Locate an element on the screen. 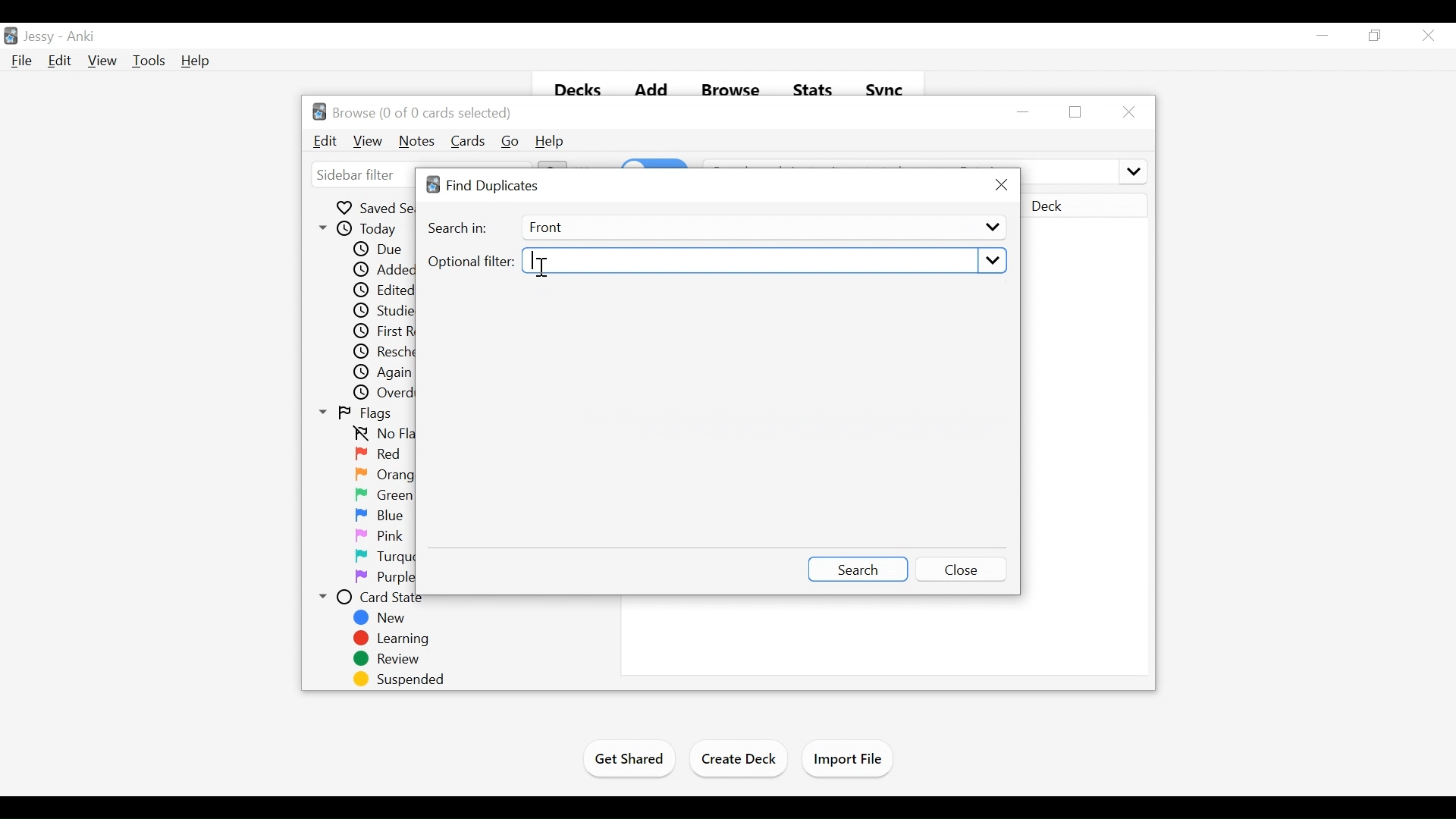 The width and height of the screenshot is (1456, 819). Learning is located at coordinates (390, 639).